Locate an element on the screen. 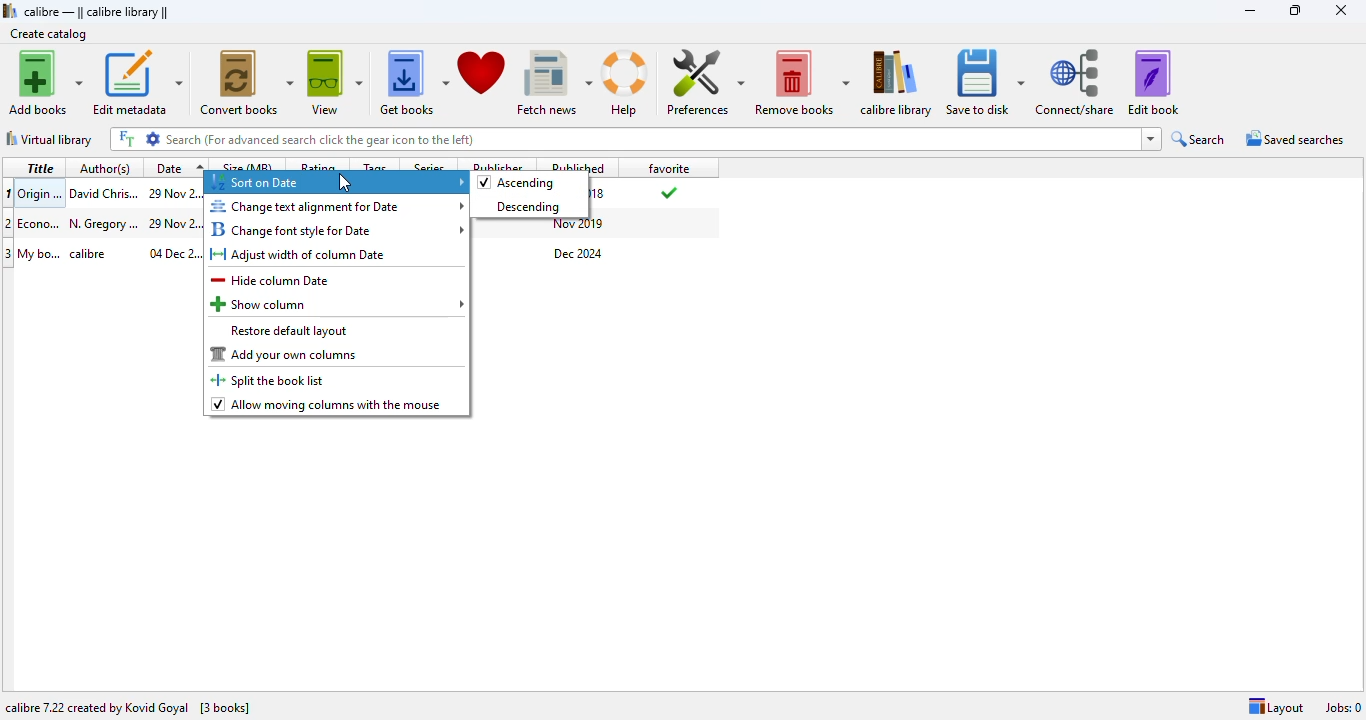 The width and height of the screenshot is (1366, 720). restore default layout is located at coordinates (289, 331).